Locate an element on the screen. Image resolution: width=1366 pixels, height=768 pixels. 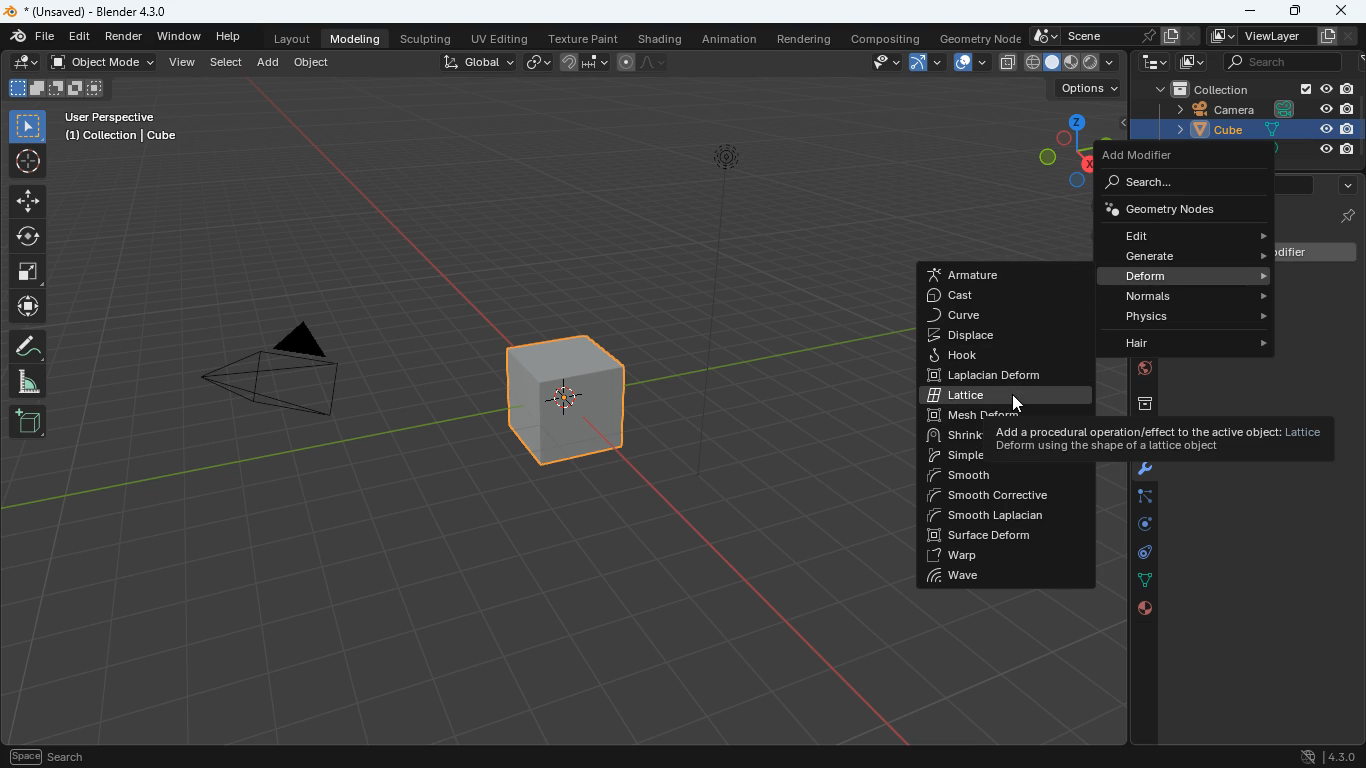
description is located at coordinates (1159, 442).